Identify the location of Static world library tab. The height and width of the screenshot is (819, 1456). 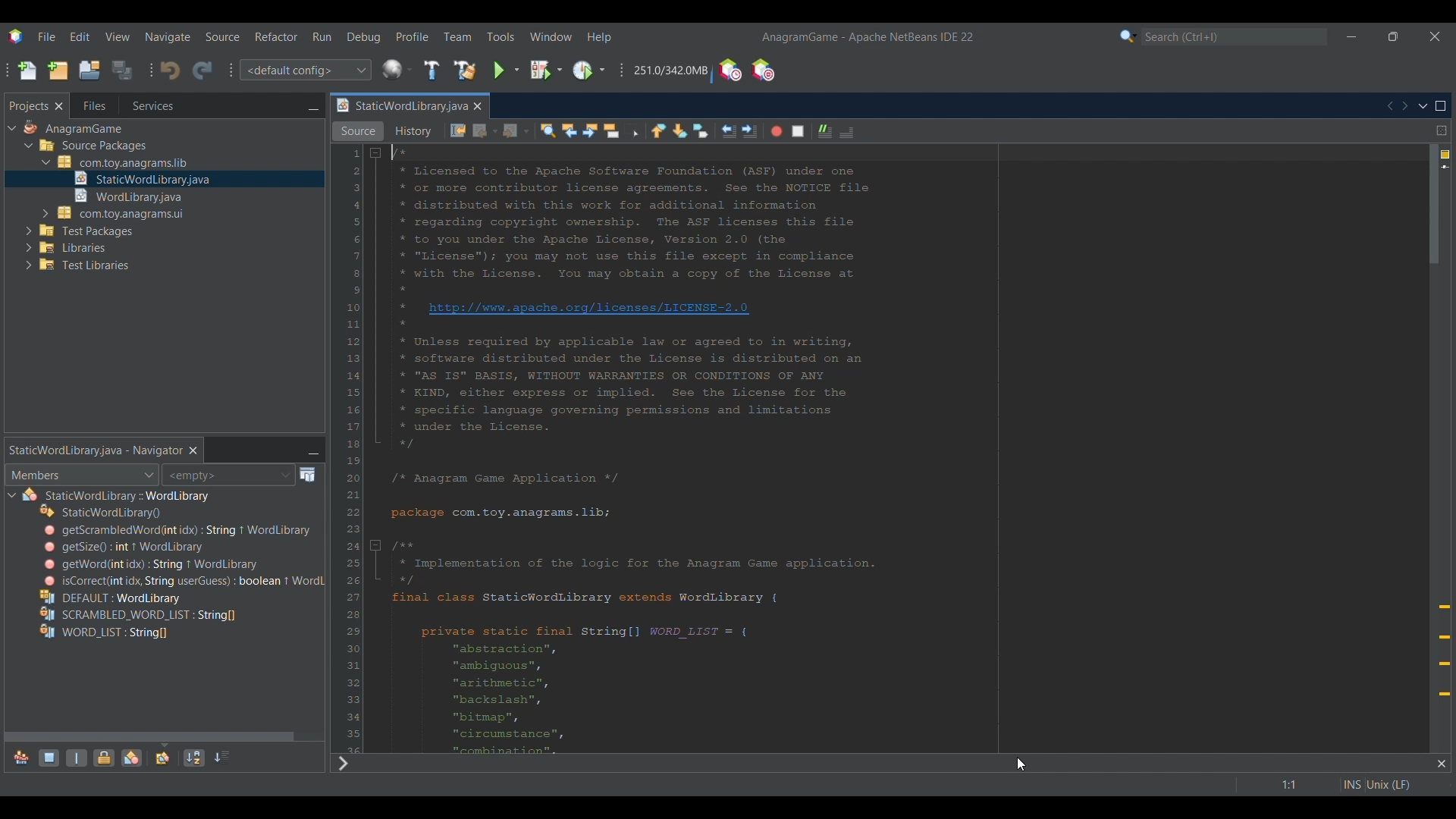
(95, 450).